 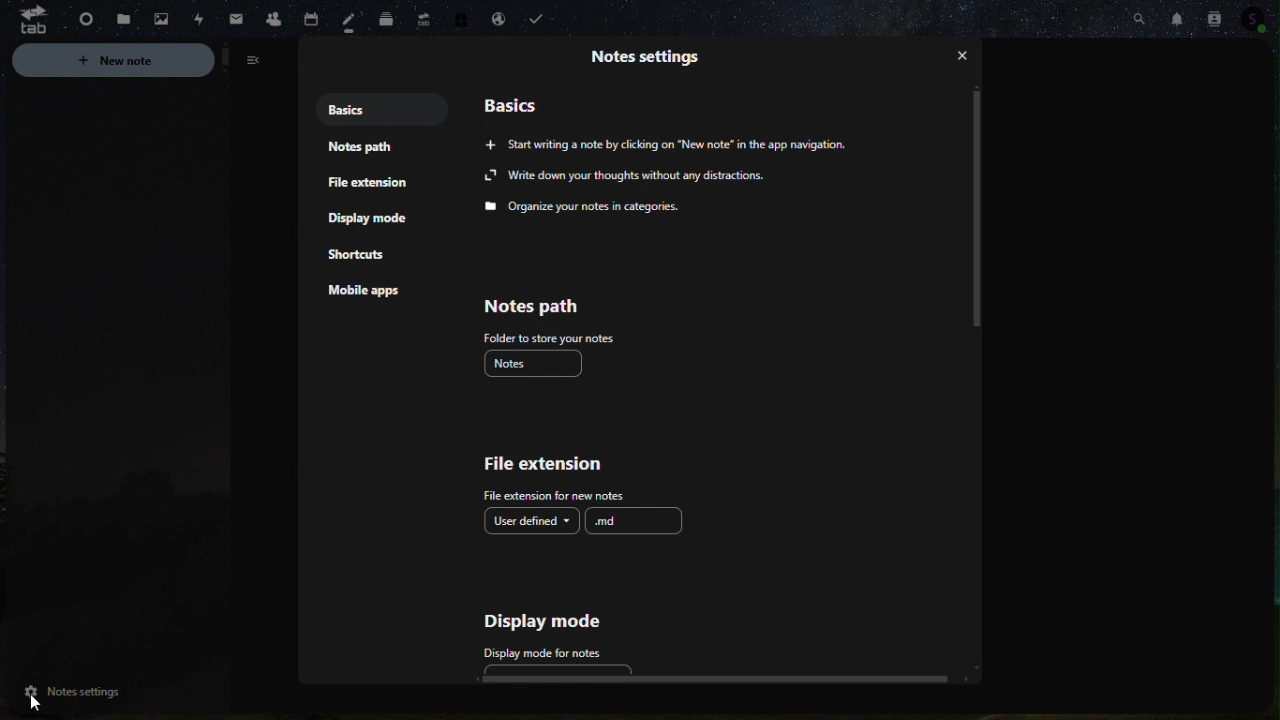 What do you see at coordinates (510, 102) in the screenshot?
I see `basics` at bounding box center [510, 102].